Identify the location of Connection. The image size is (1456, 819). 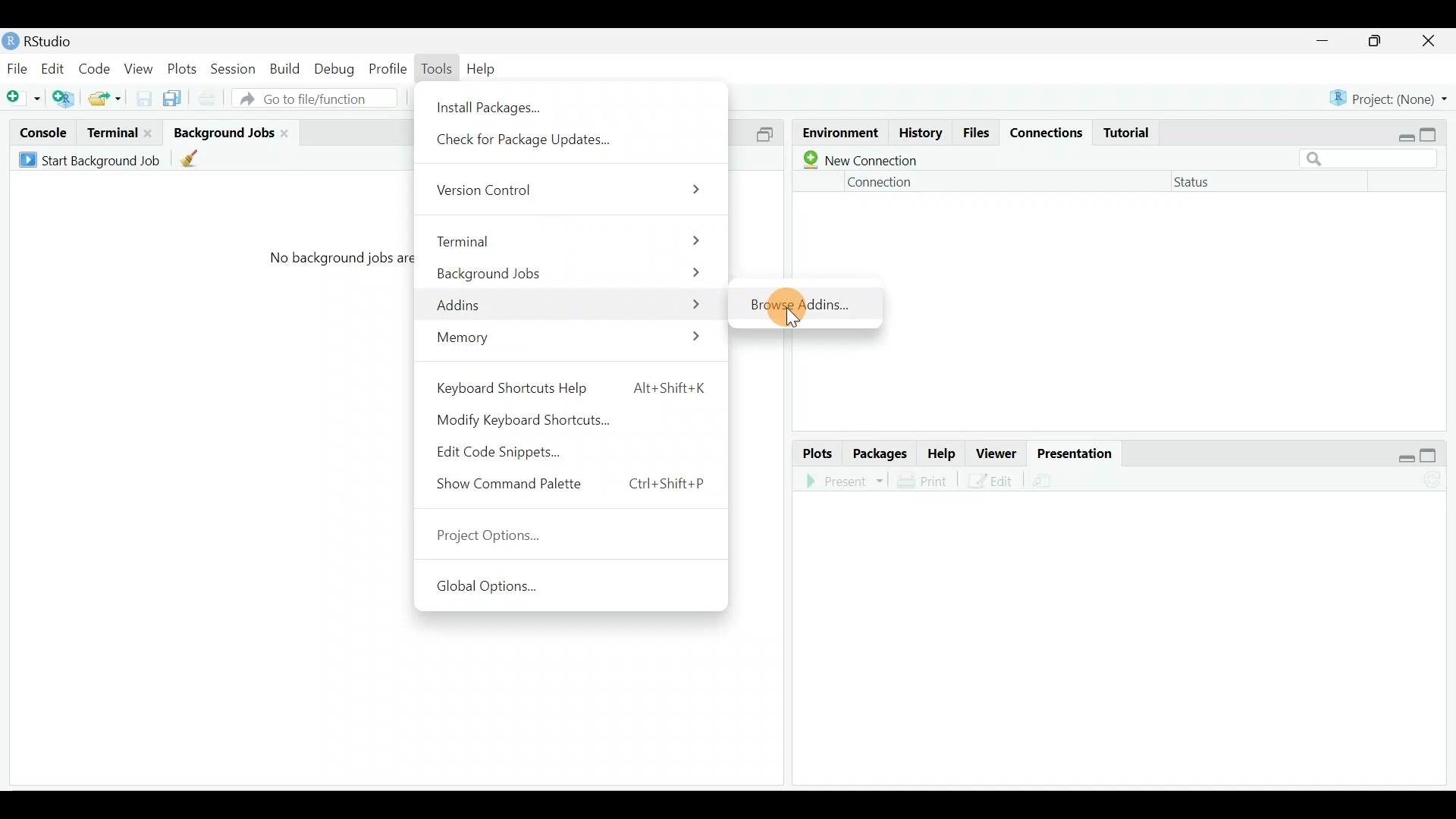
(878, 182).